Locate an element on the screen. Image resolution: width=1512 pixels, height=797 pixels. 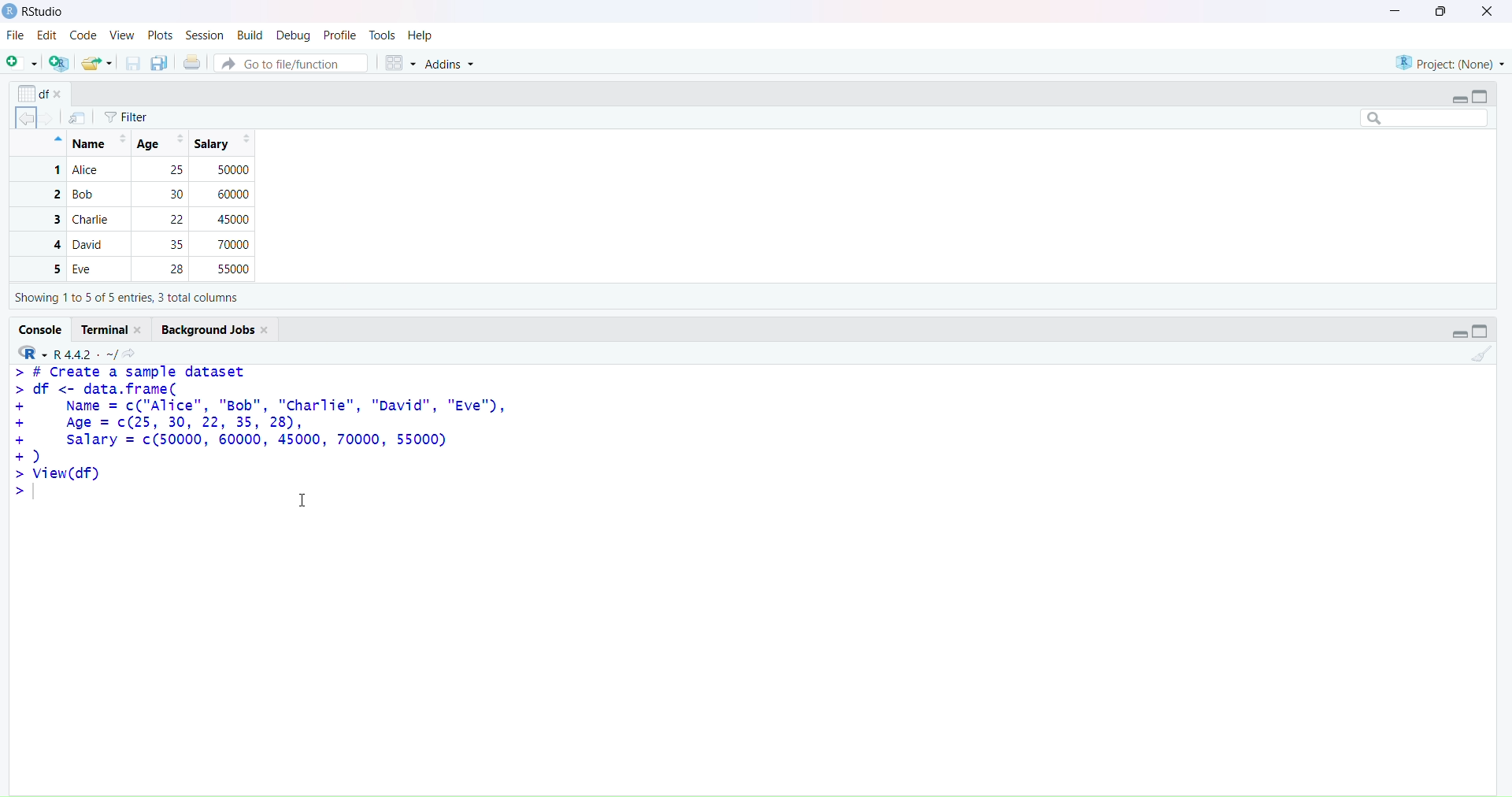
import is located at coordinates (78, 117).